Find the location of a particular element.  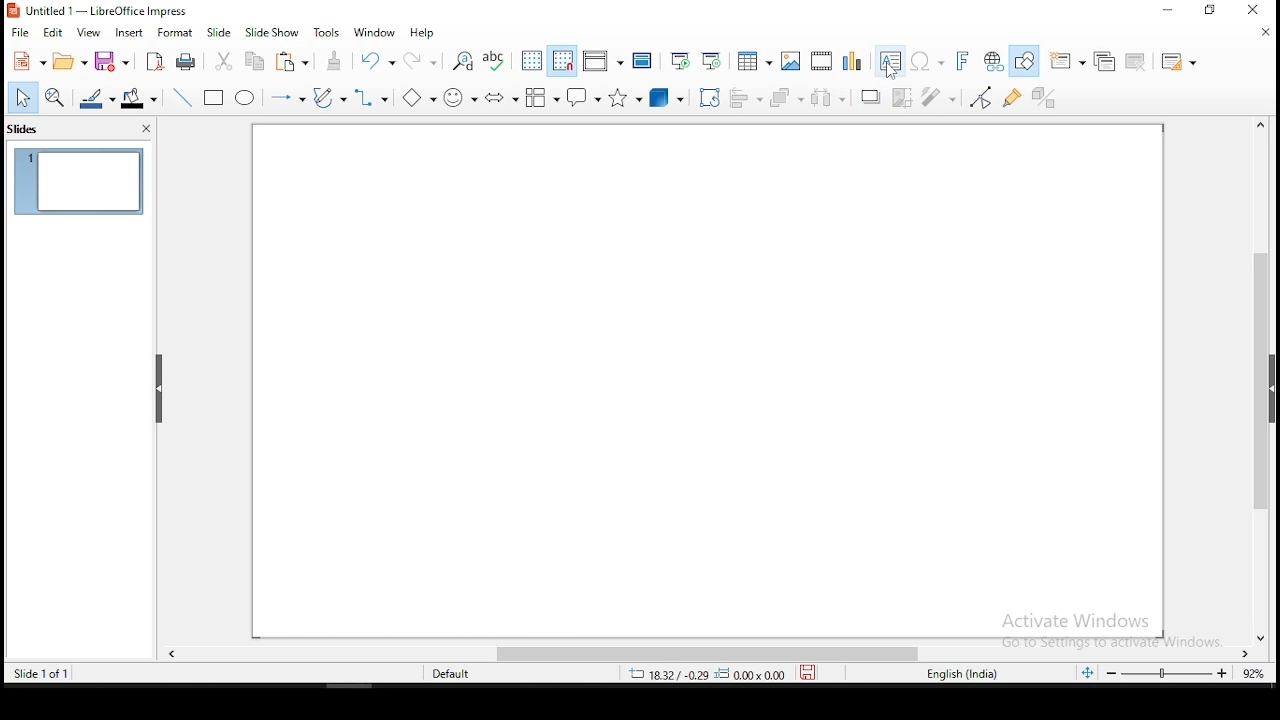

tools is located at coordinates (328, 31).